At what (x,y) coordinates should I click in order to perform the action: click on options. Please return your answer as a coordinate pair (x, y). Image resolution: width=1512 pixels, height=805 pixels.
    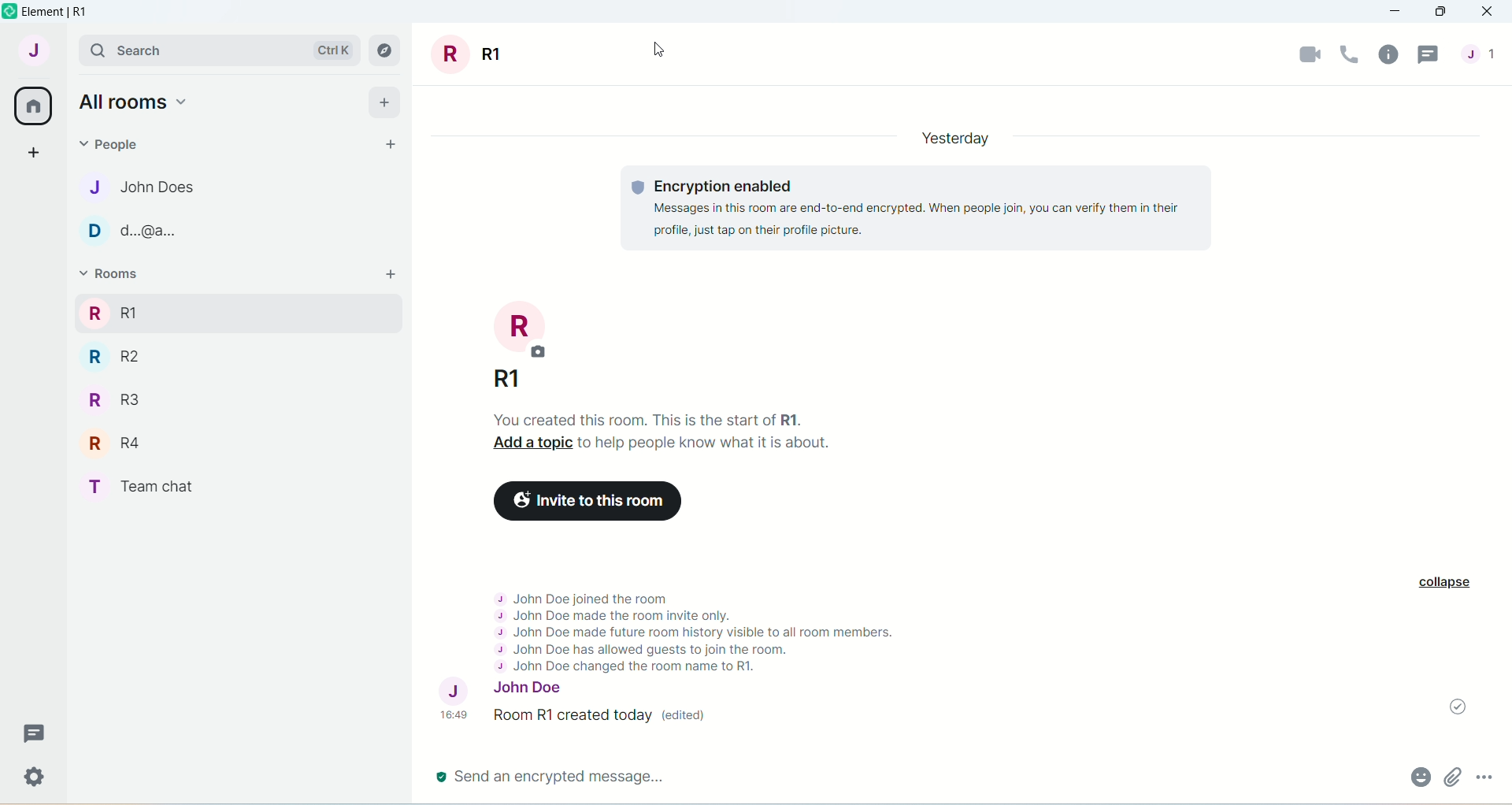
    Looking at the image, I should click on (1484, 780).